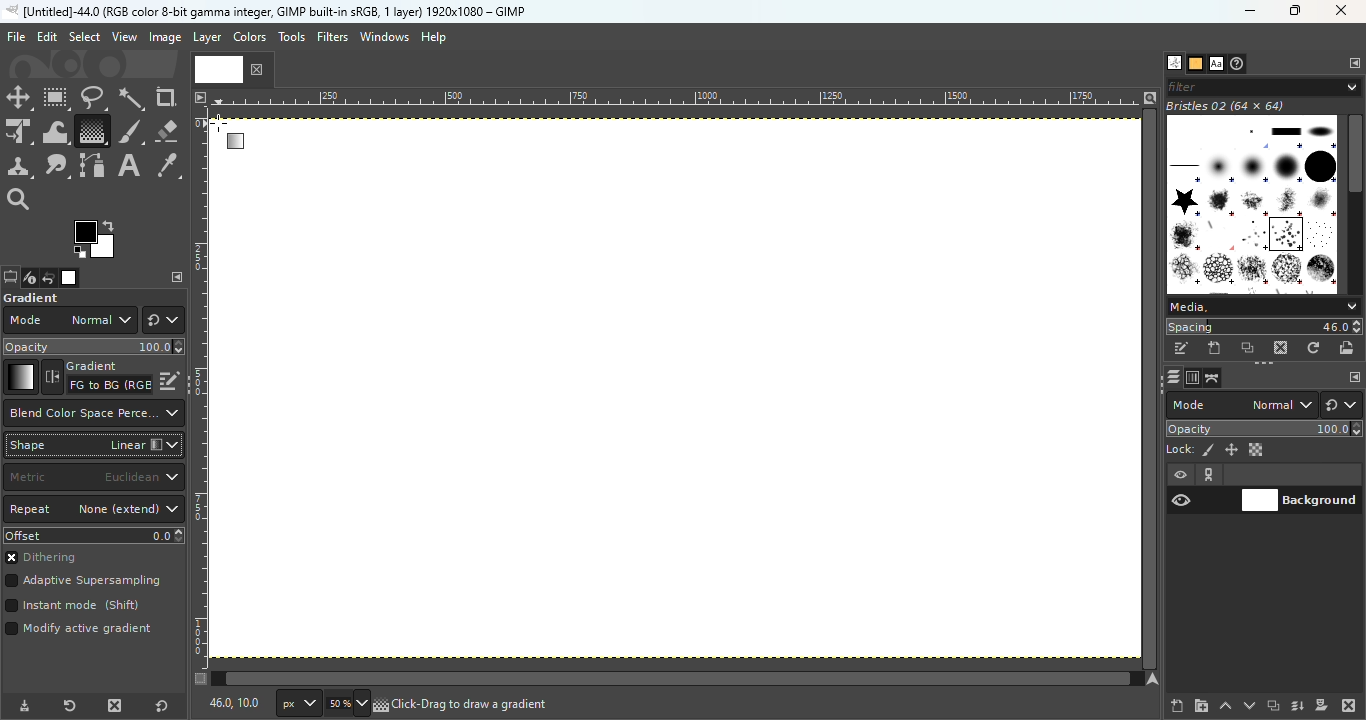 This screenshot has width=1366, height=720. I want to click on Open the patterns dialog, so click(1196, 64).